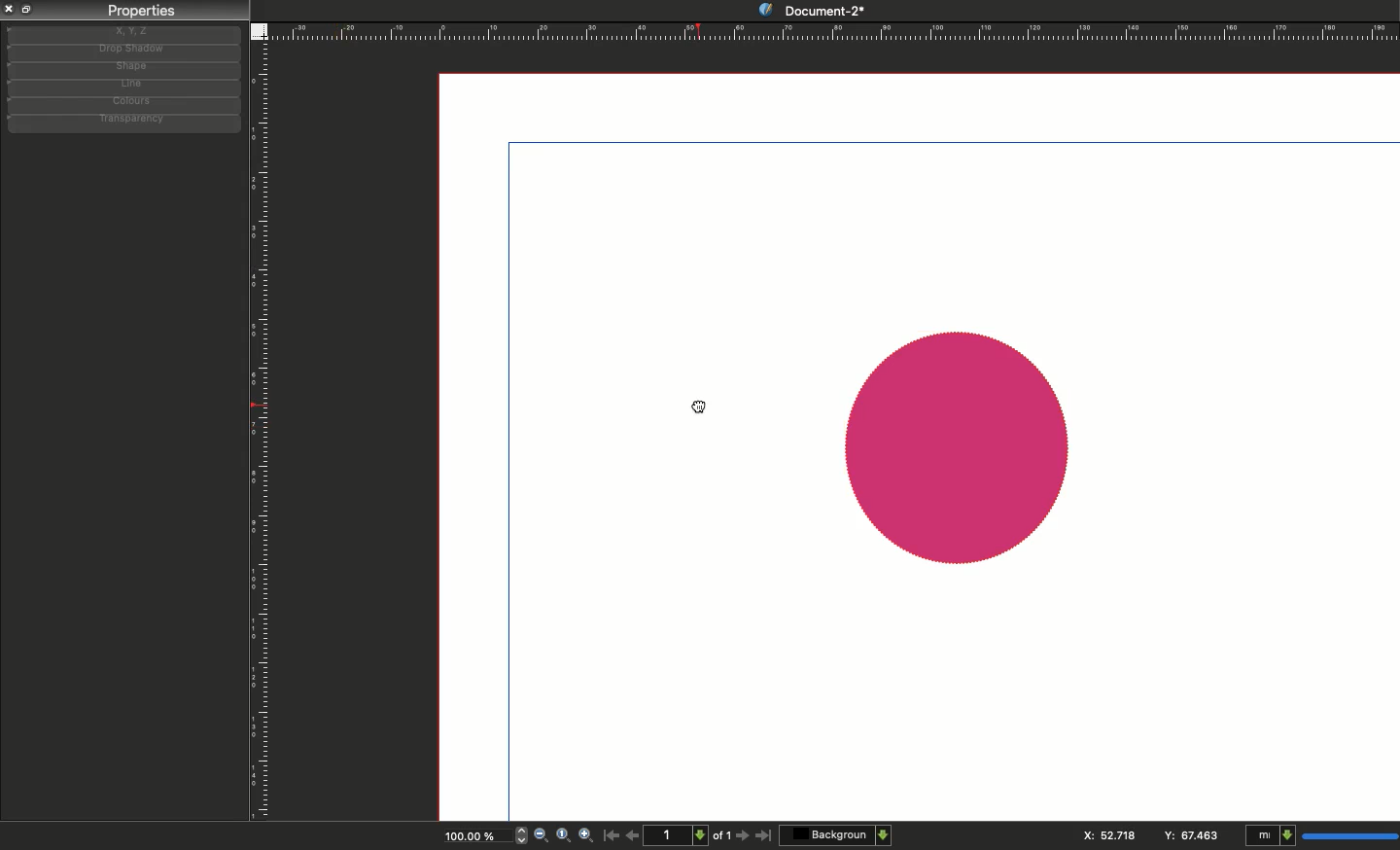 This screenshot has width=1400, height=850. Describe the element at coordinates (262, 433) in the screenshot. I see `Ruler` at that location.